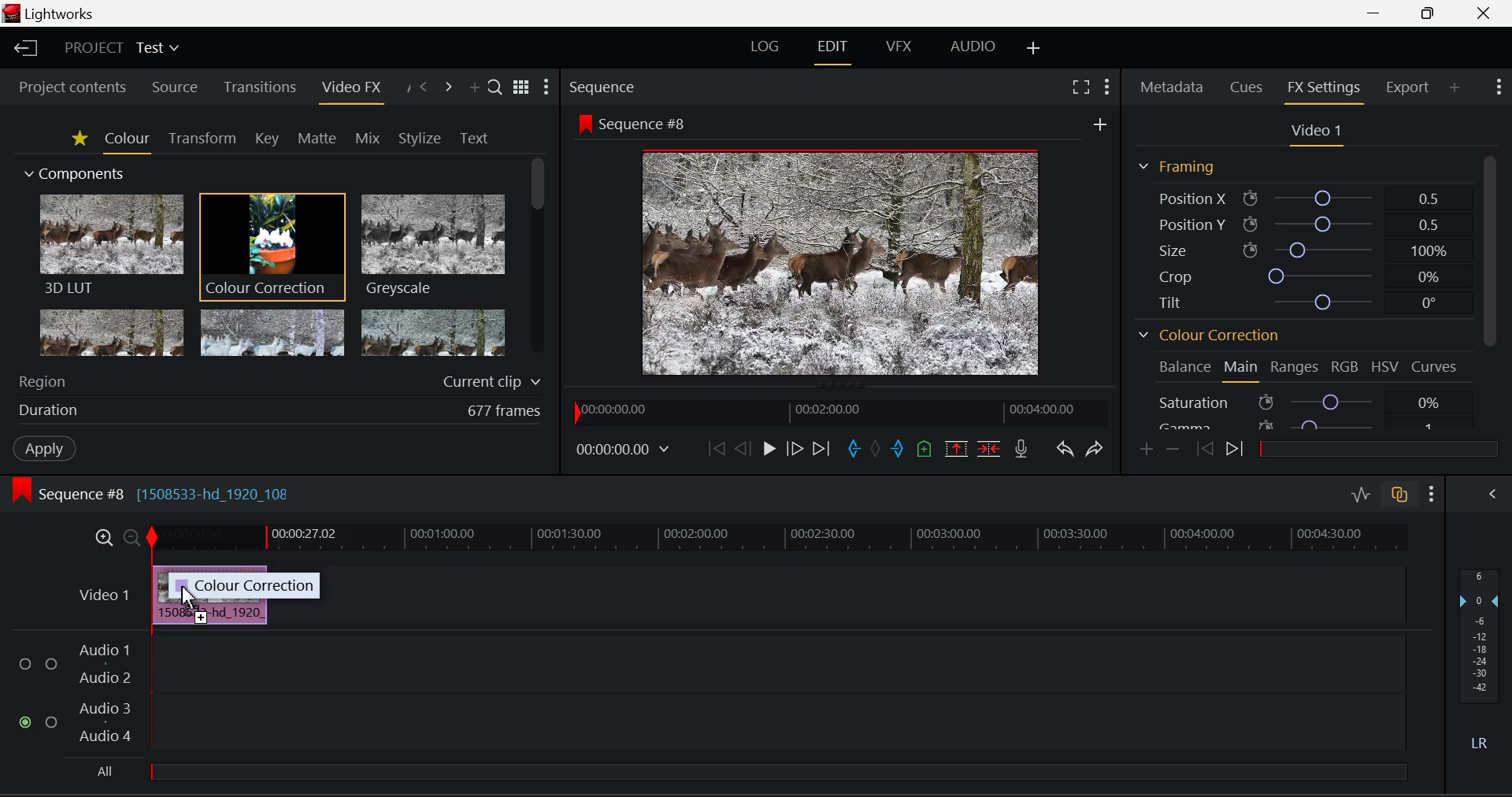 The height and width of the screenshot is (797, 1512). I want to click on Export, so click(1408, 87).